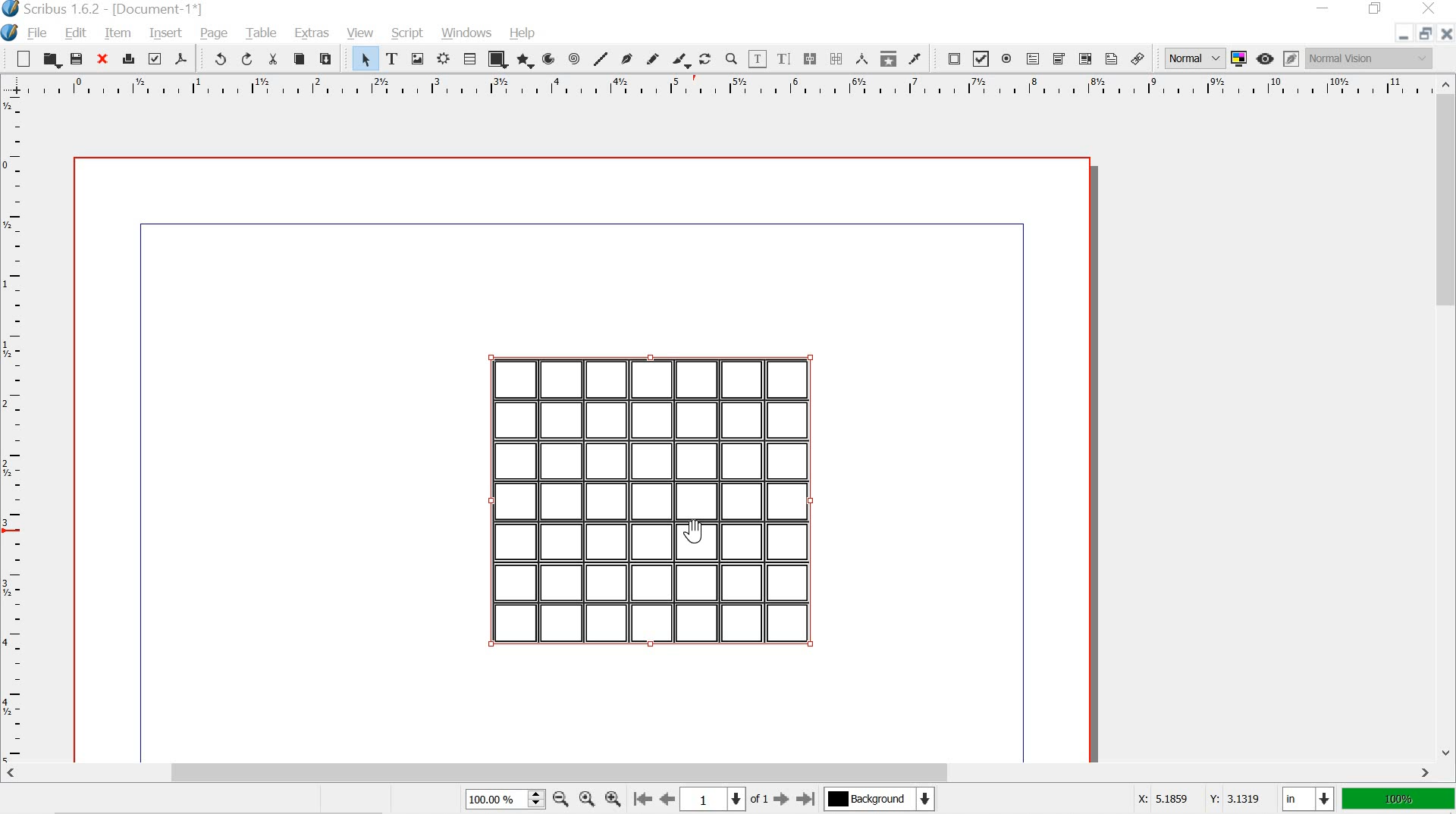  I want to click on ruler, so click(14, 429).